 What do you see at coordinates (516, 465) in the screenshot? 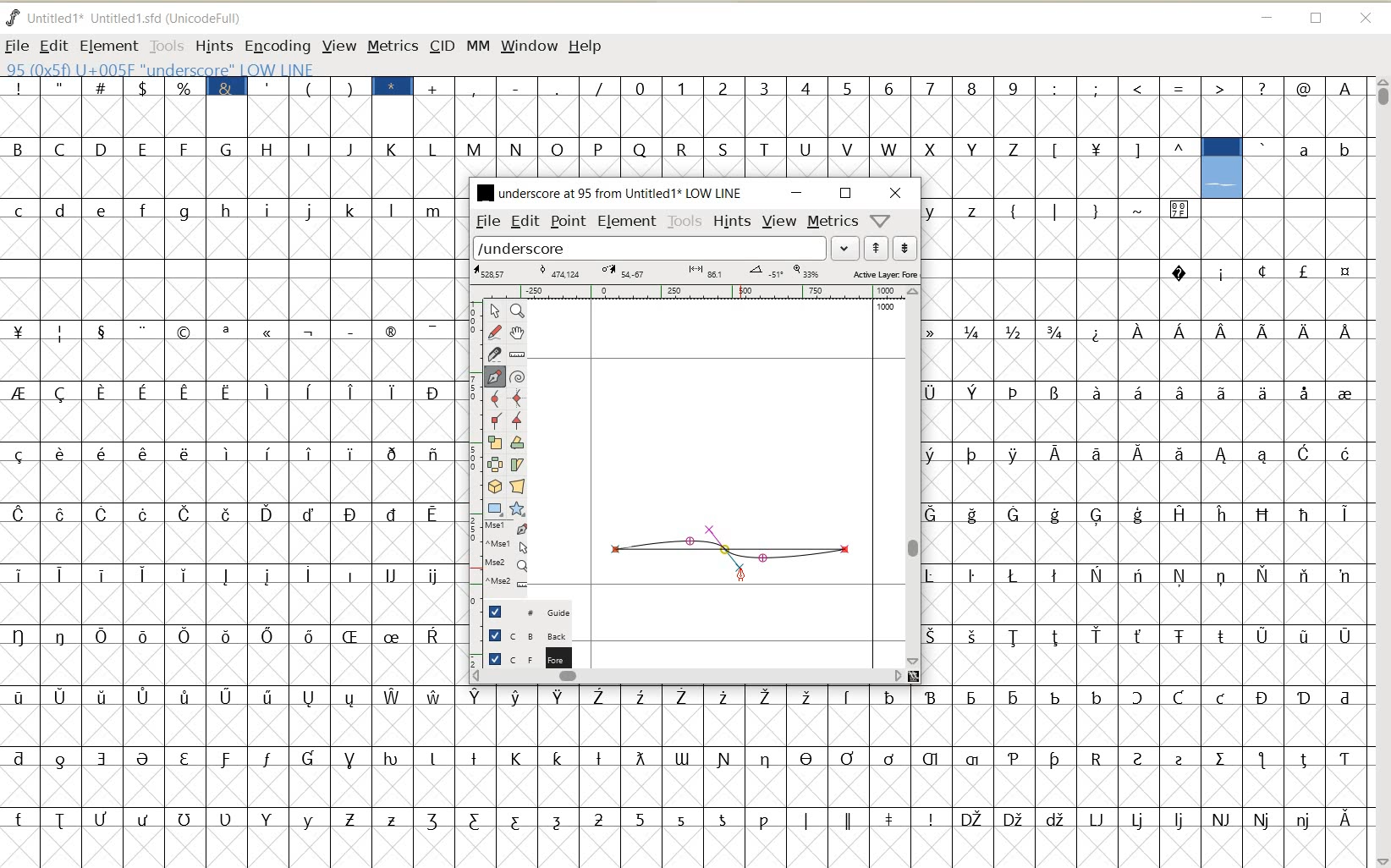
I see `skew the selection` at bounding box center [516, 465].